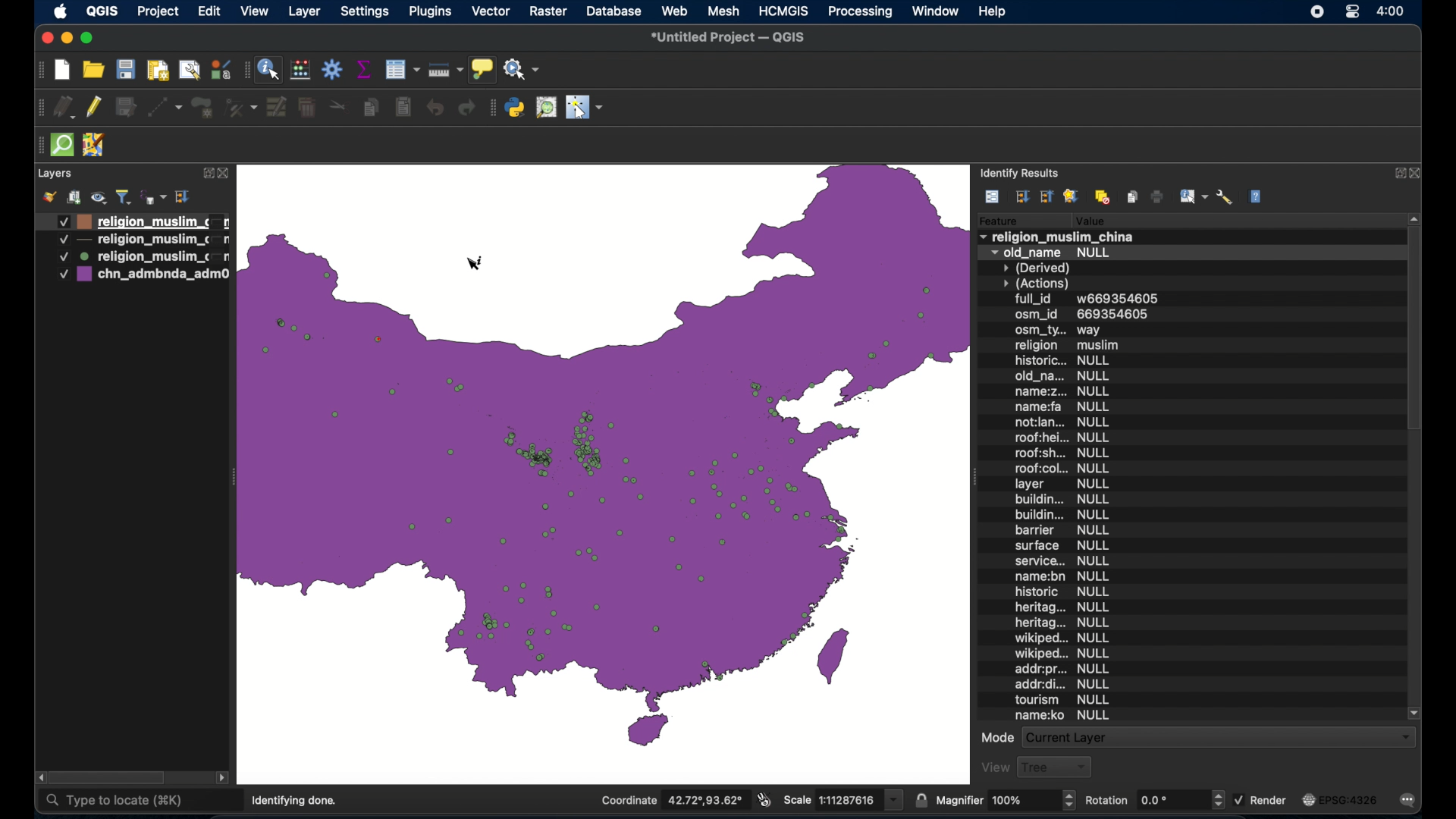 The image size is (1456, 819). Describe the element at coordinates (102, 11) in the screenshot. I see `QGIS` at that location.